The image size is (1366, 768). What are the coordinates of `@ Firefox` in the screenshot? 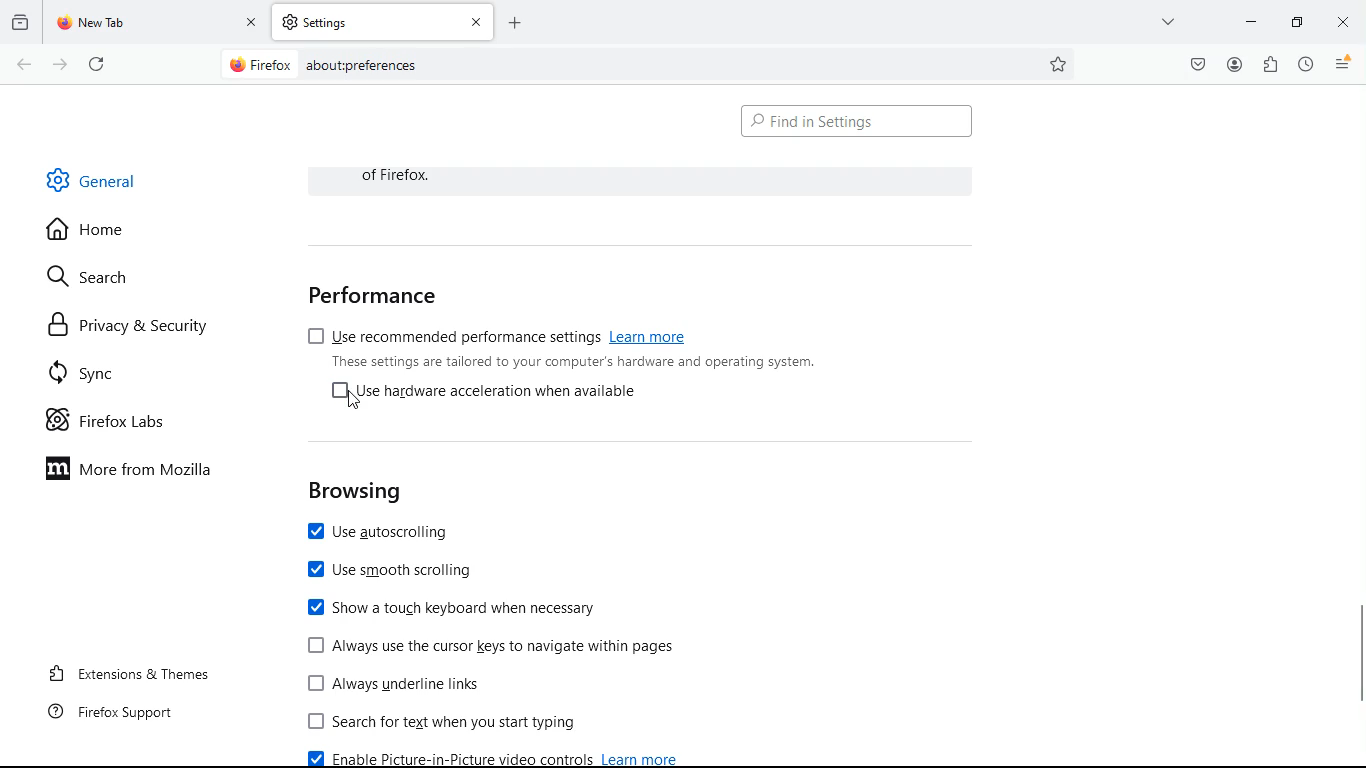 It's located at (259, 64).